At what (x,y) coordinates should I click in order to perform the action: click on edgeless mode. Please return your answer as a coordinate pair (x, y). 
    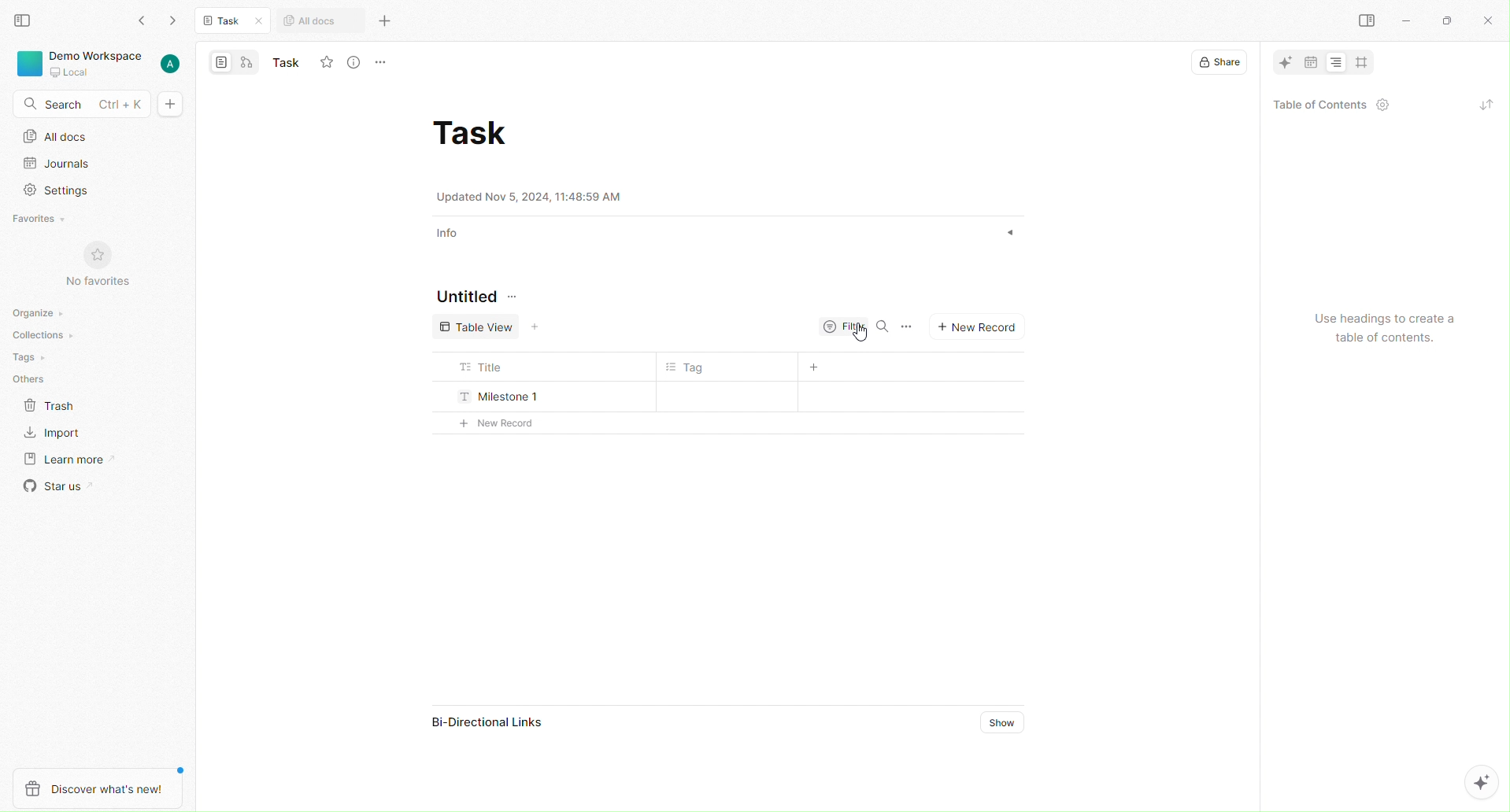
    Looking at the image, I should click on (247, 64).